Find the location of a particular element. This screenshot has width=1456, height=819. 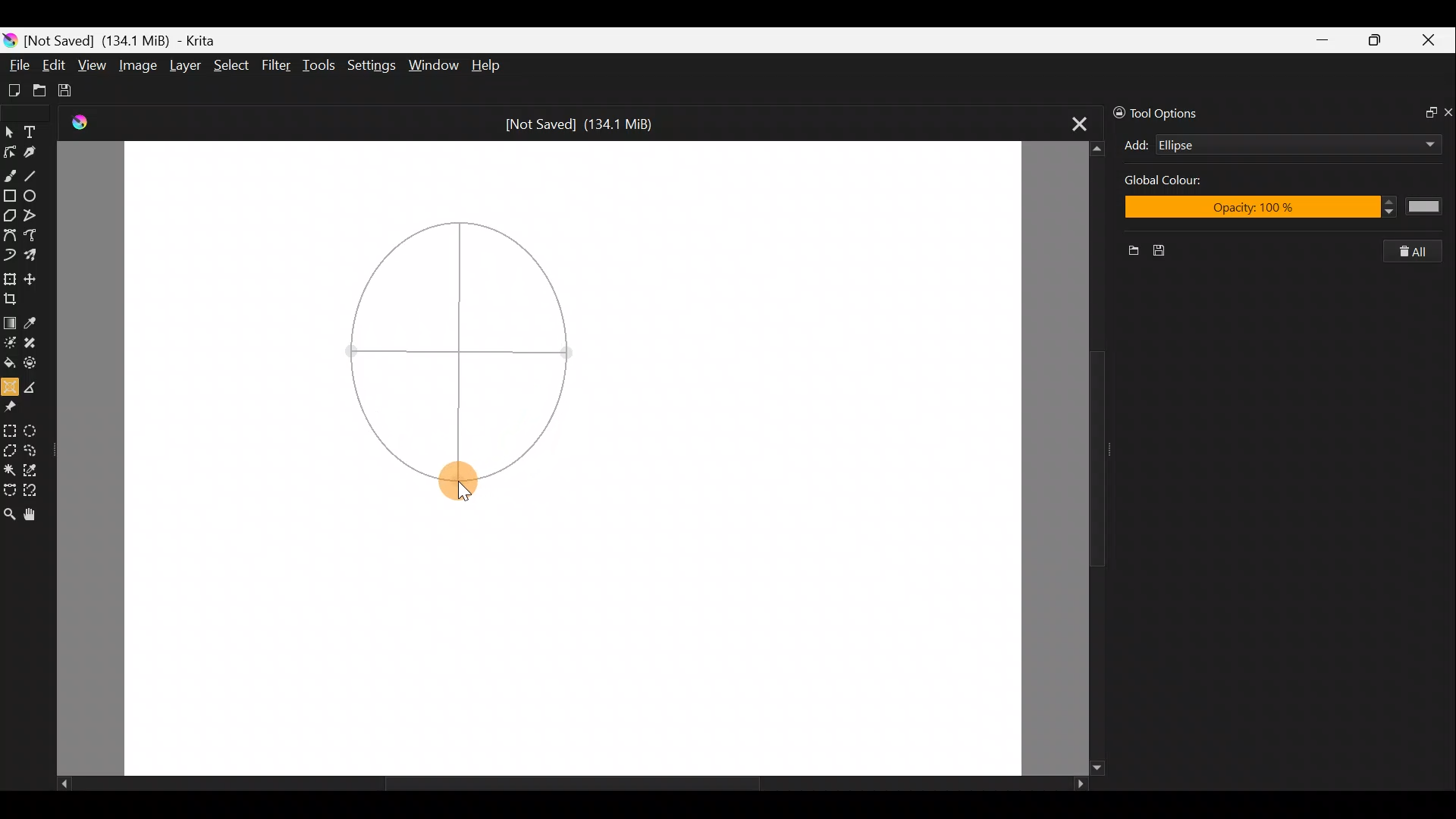

Polygonal selection tool is located at coordinates (10, 448).